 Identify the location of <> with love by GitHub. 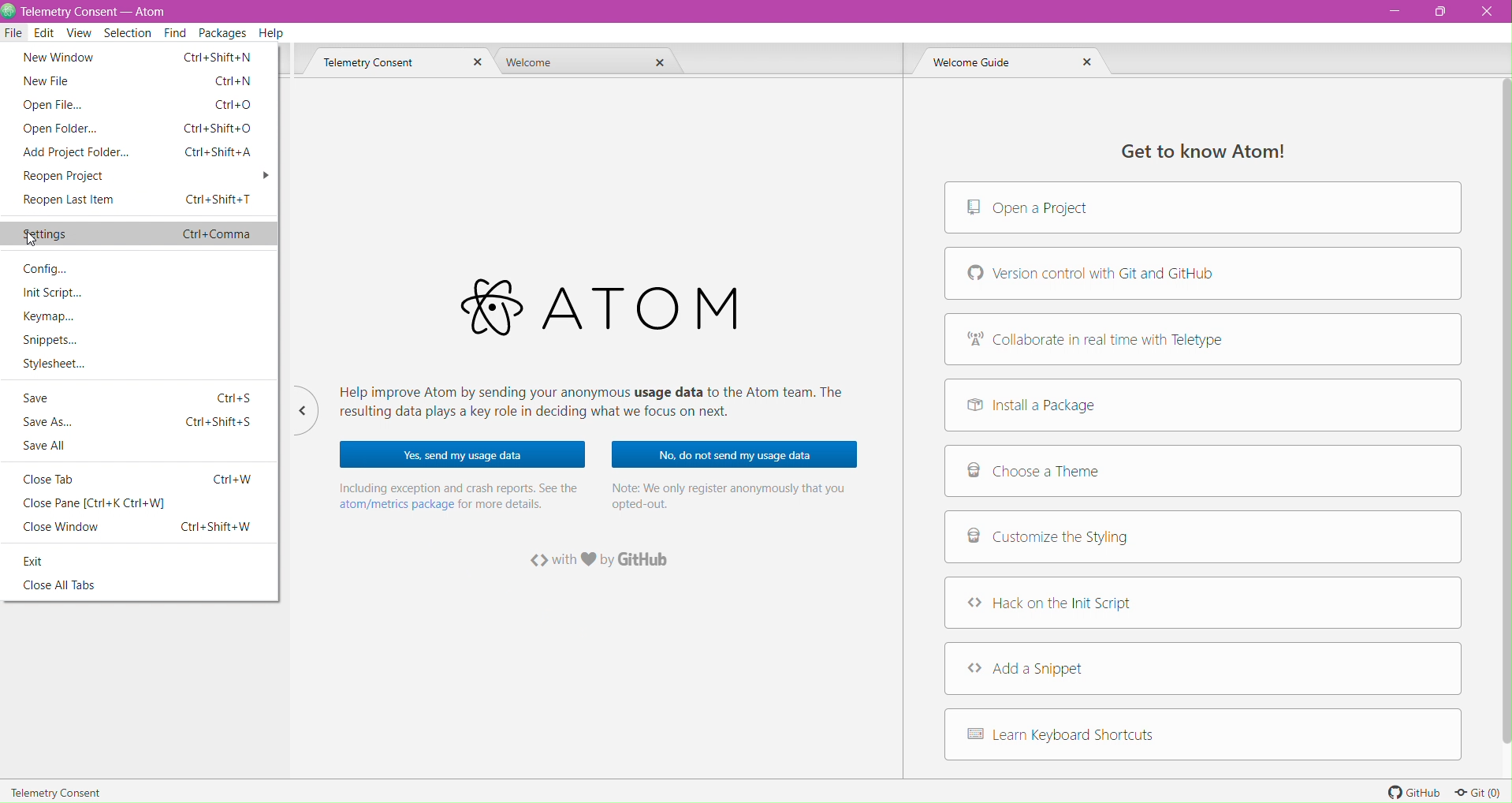
(604, 562).